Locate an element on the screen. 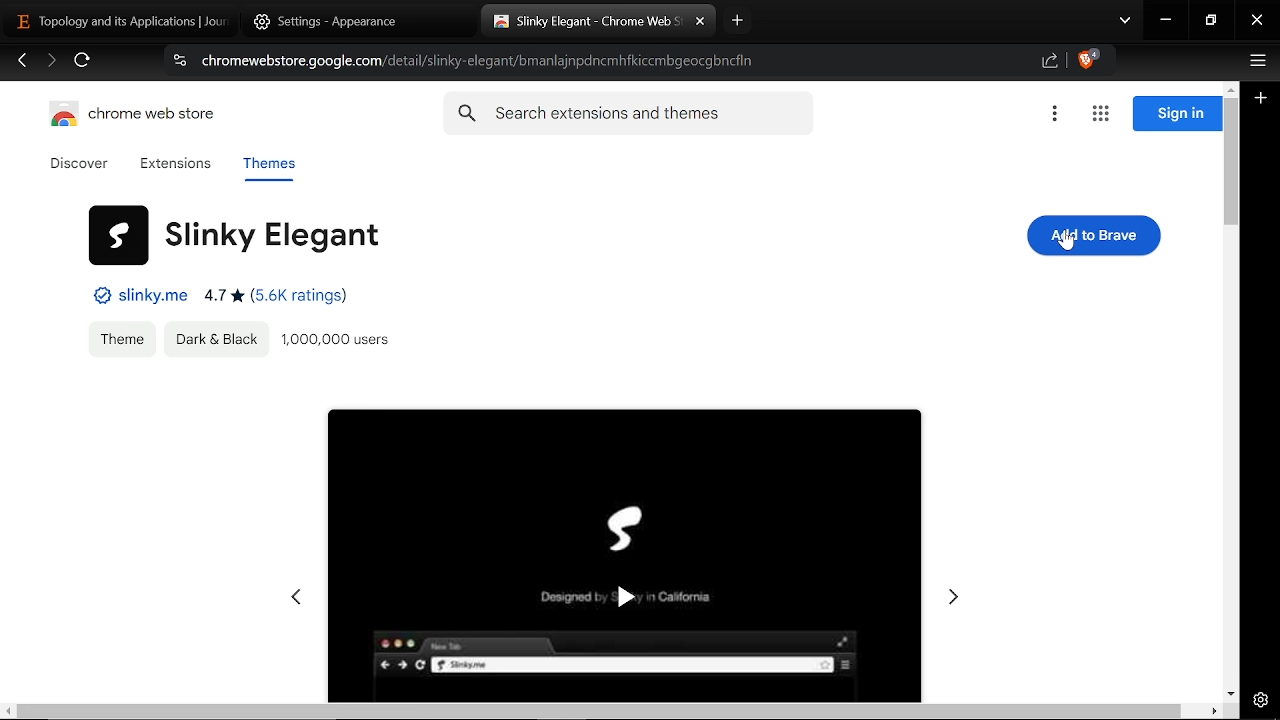  Share link is located at coordinates (1050, 62).